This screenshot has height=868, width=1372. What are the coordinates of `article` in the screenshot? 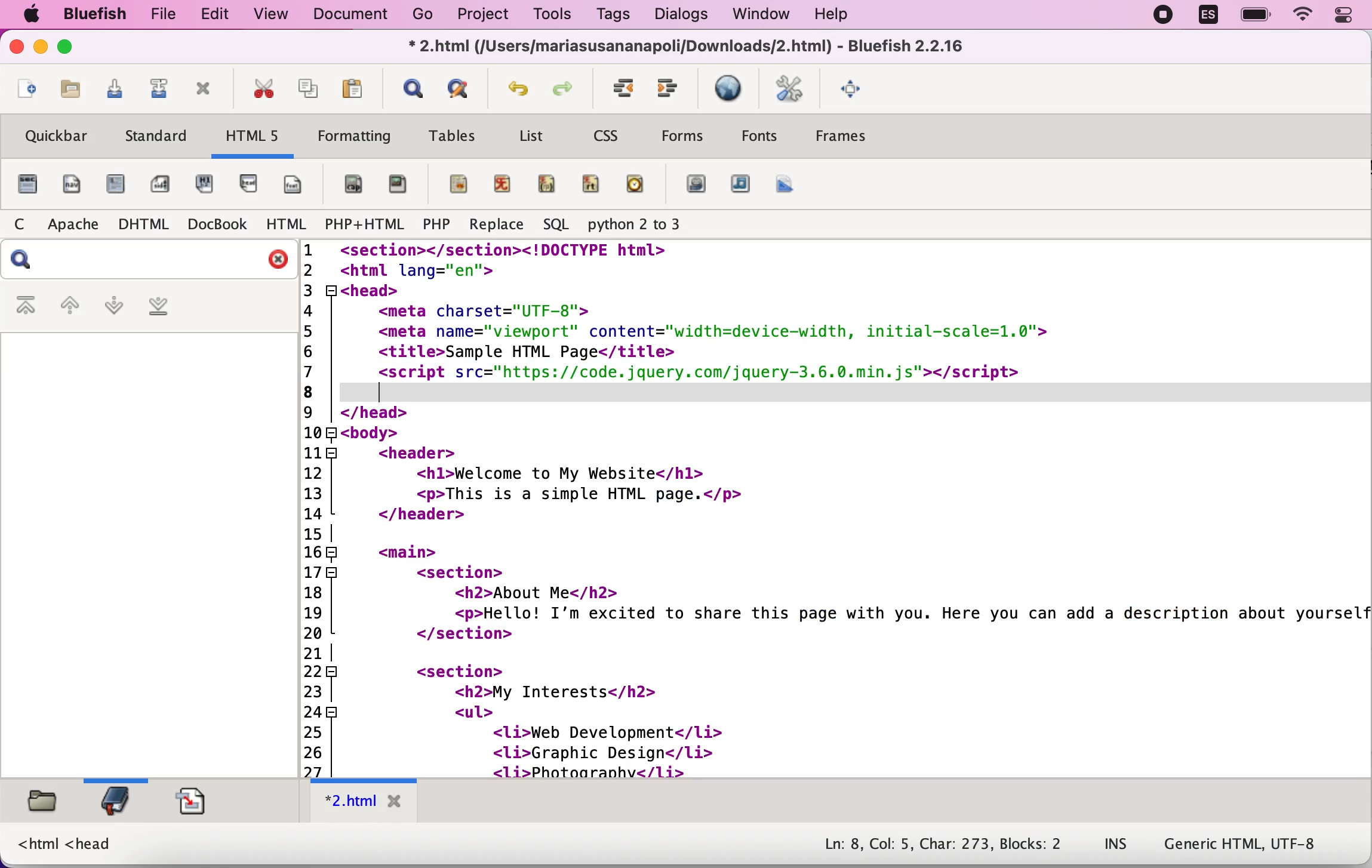 It's located at (118, 186).